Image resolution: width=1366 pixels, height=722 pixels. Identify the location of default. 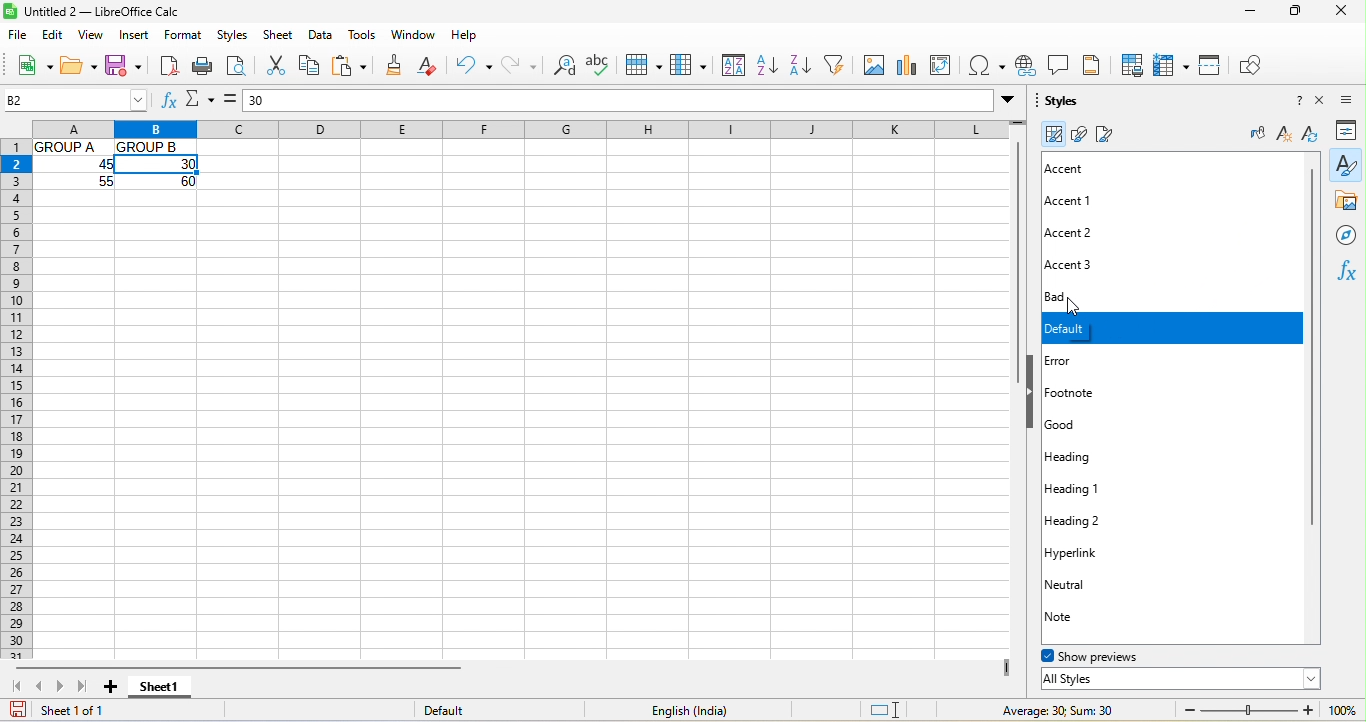
(1171, 329).